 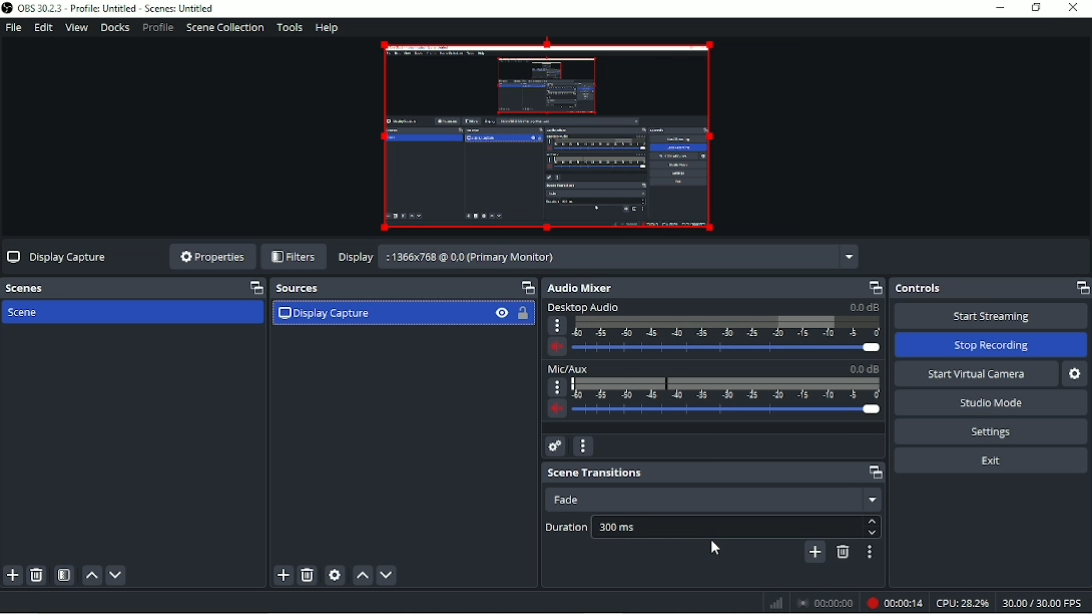 I want to click on Move scene up, so click(x=92, y=575).